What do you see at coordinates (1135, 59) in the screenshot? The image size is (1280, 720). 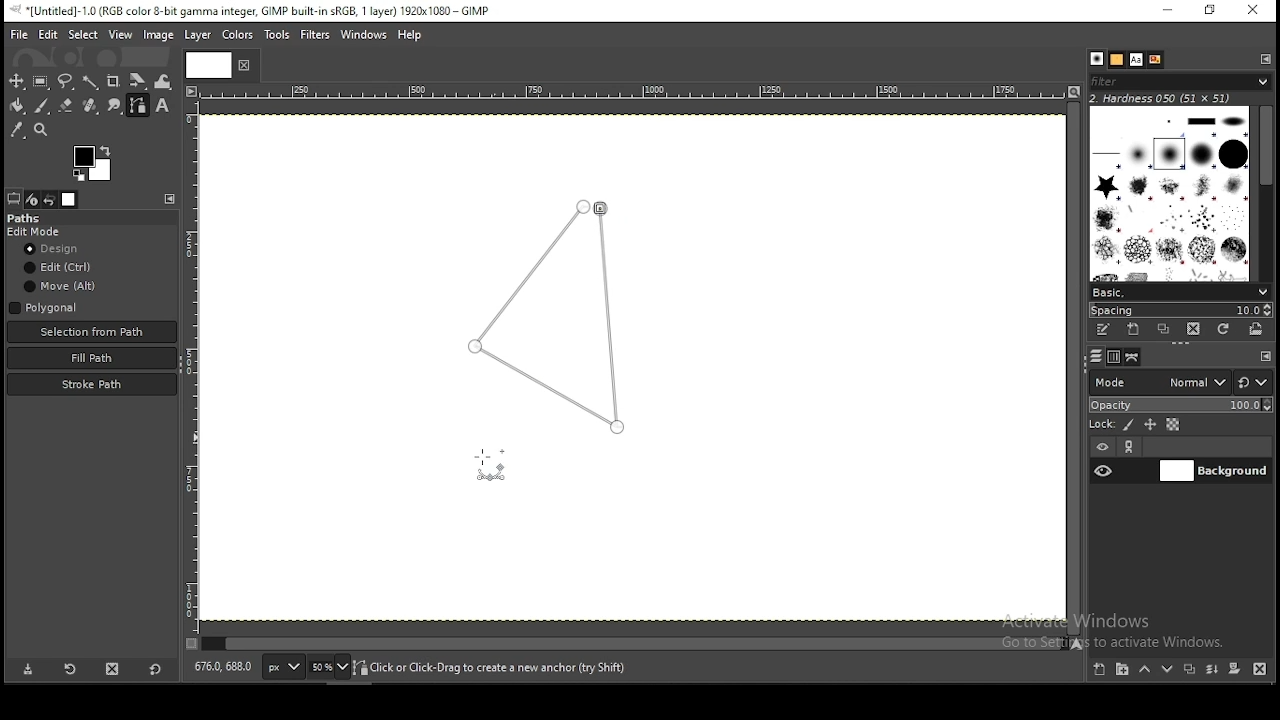 I see `text` at bounding box center [1135, 59].